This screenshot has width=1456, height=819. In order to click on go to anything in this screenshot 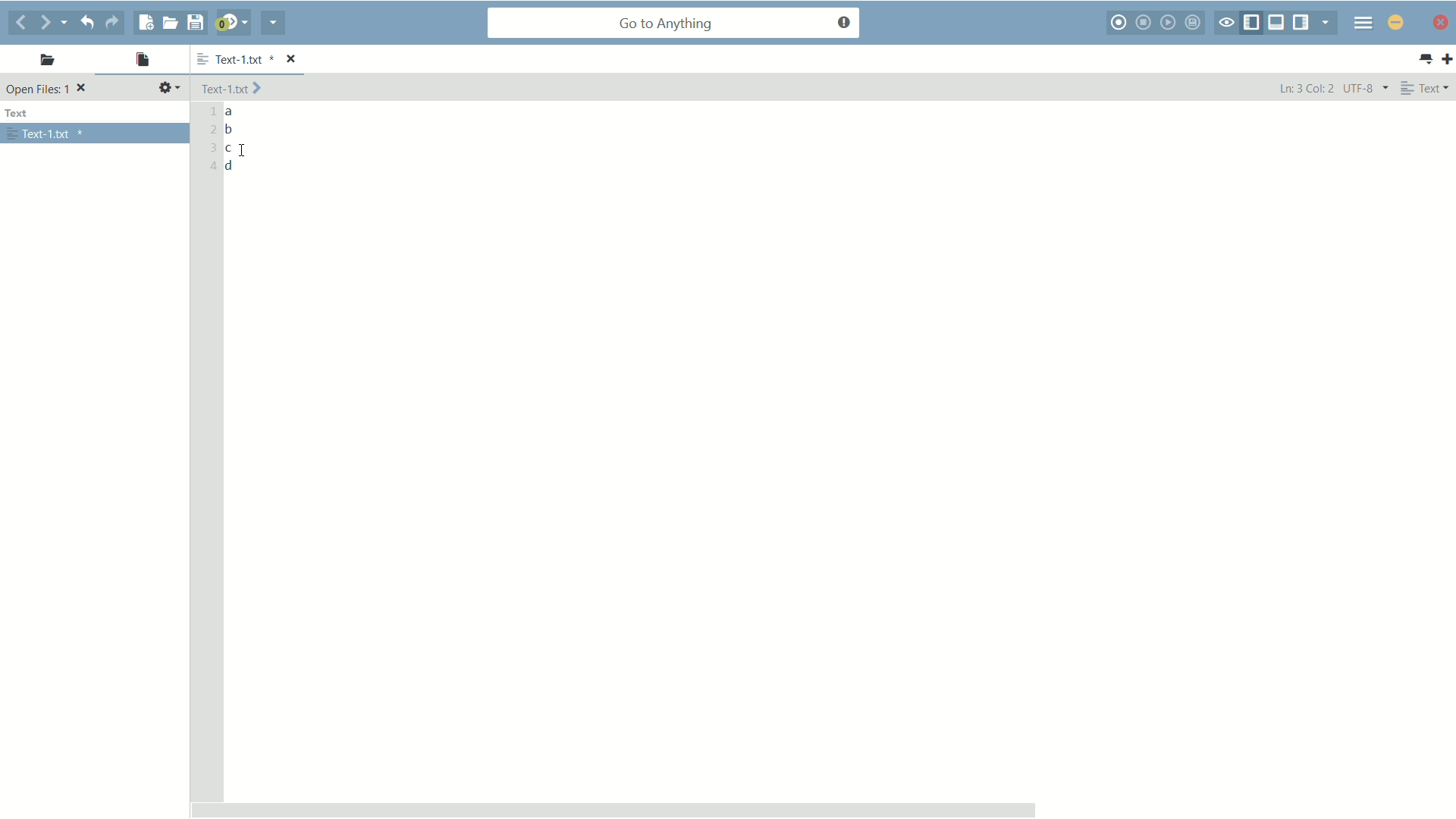, I will do `click(676, 24)`.